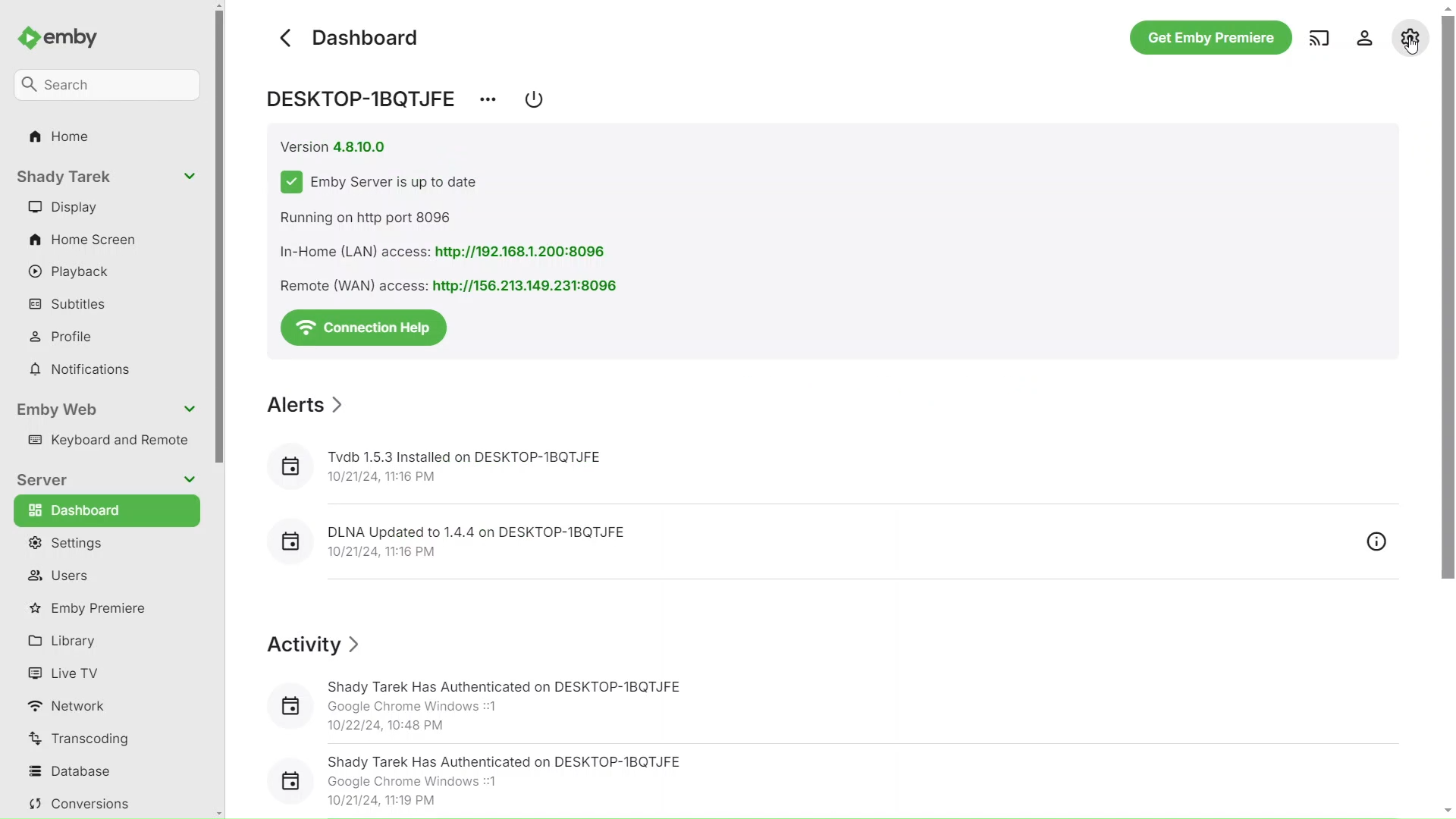 The image size is (1456, 819). What do you see at coordinates (220, 409) in the screenshot?
I see `scrollbar` at bounding box center [220, 409].